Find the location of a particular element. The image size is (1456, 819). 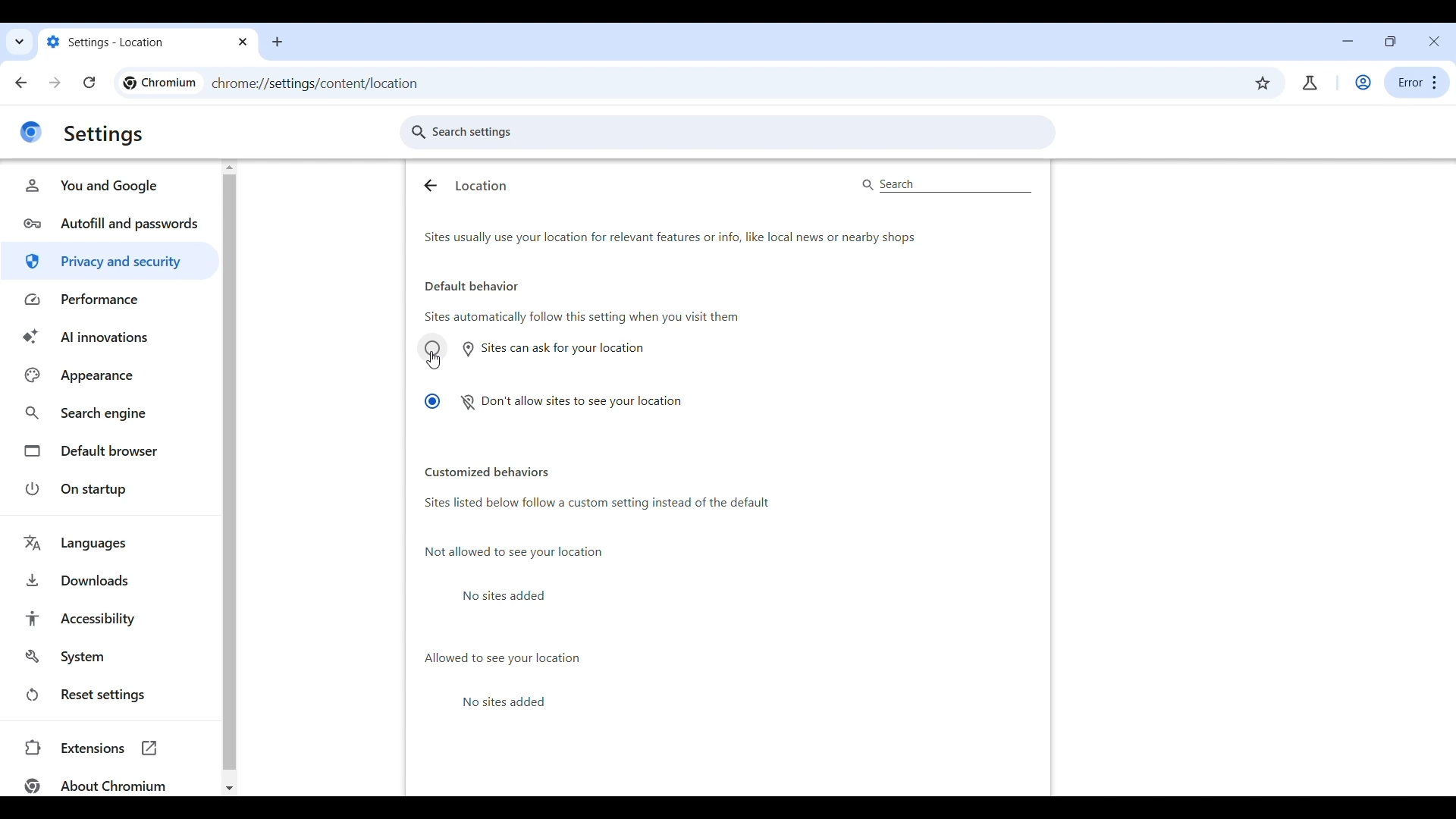

You and Google is located at coordinates (110, 185).